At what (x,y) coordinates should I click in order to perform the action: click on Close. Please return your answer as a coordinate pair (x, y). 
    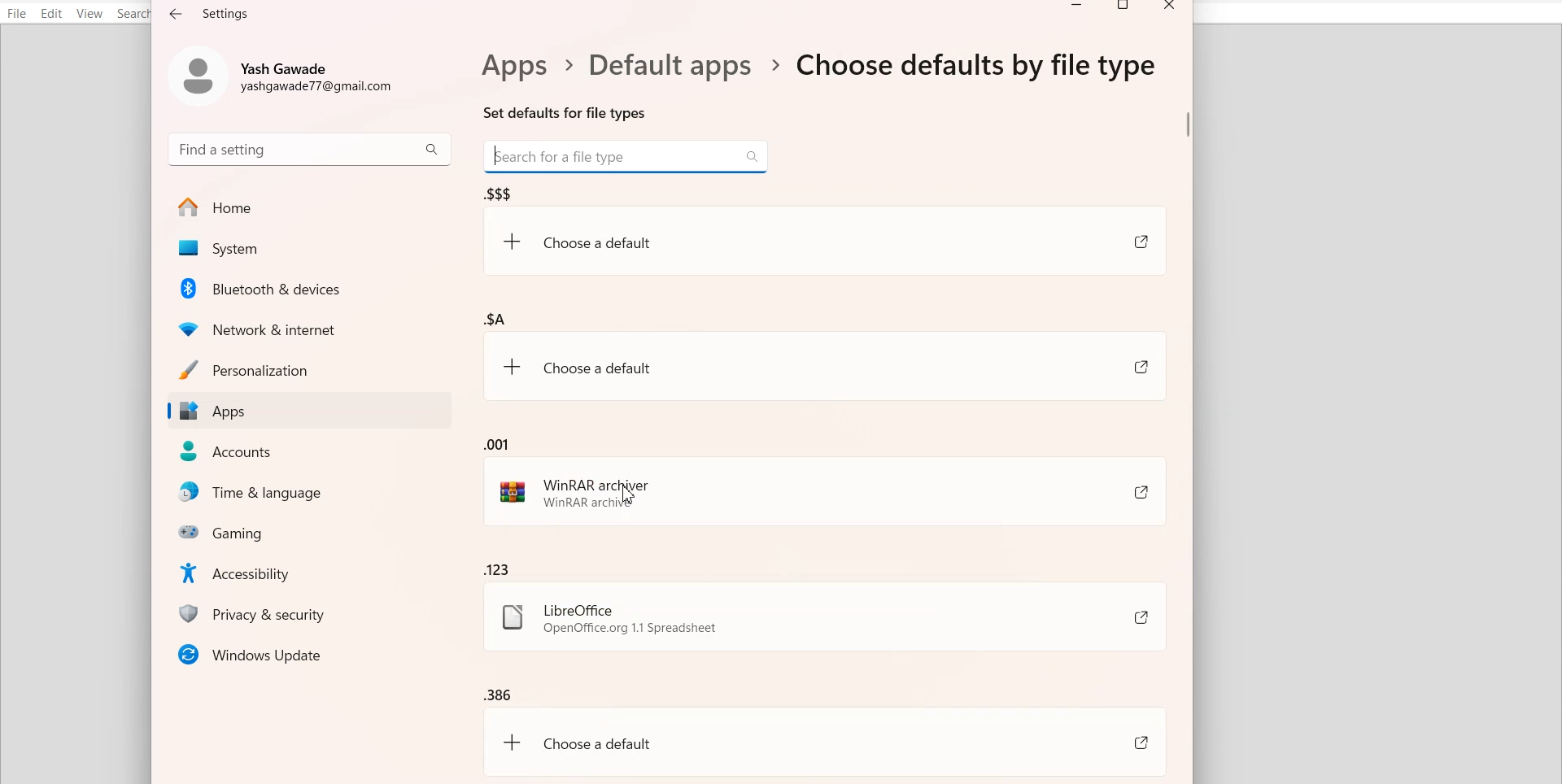
    Looking at the image, I should click on (1169, 8).